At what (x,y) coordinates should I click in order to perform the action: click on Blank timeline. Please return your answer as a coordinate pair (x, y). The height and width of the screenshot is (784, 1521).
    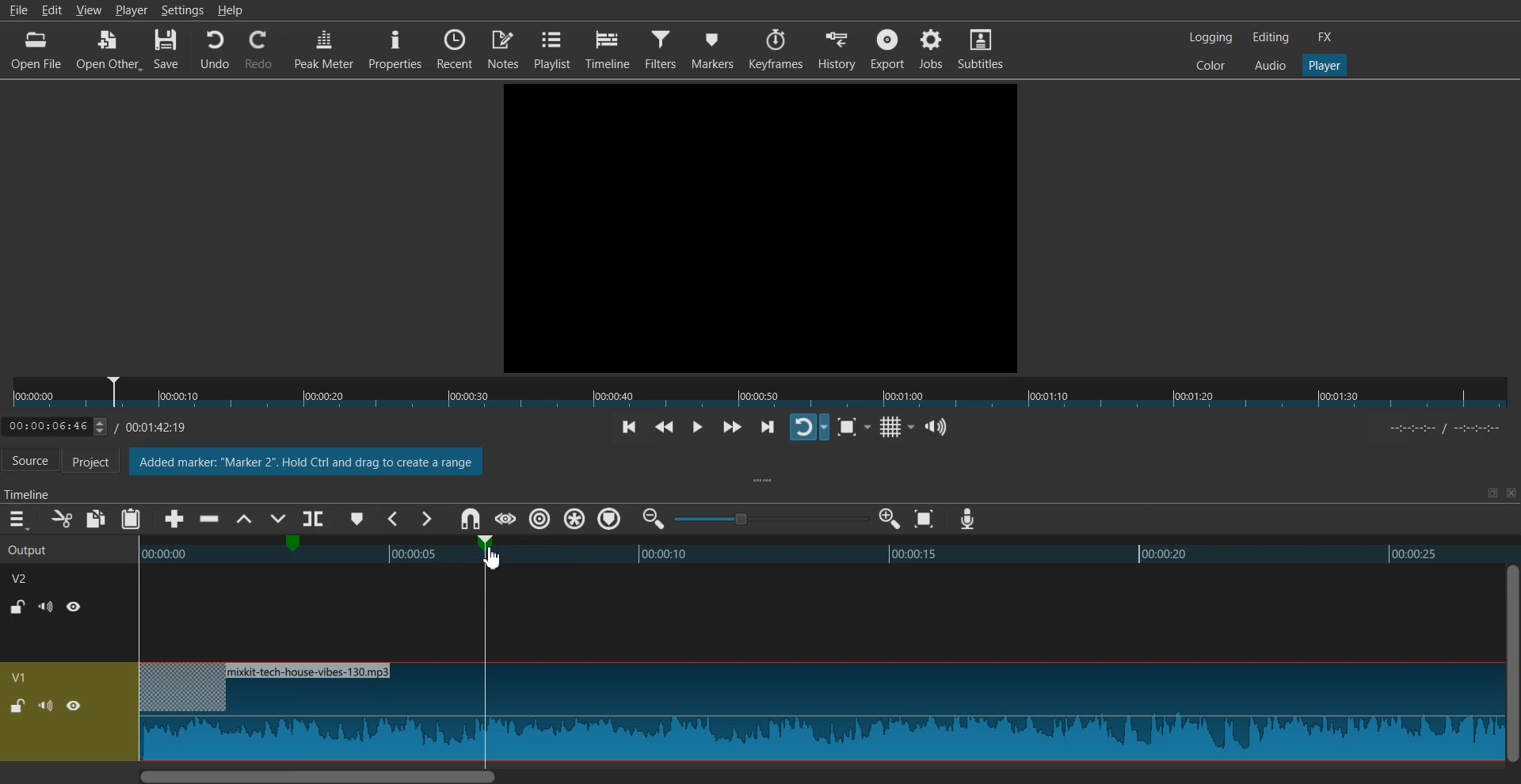
    Looking at the image, I should click on (818, 613).